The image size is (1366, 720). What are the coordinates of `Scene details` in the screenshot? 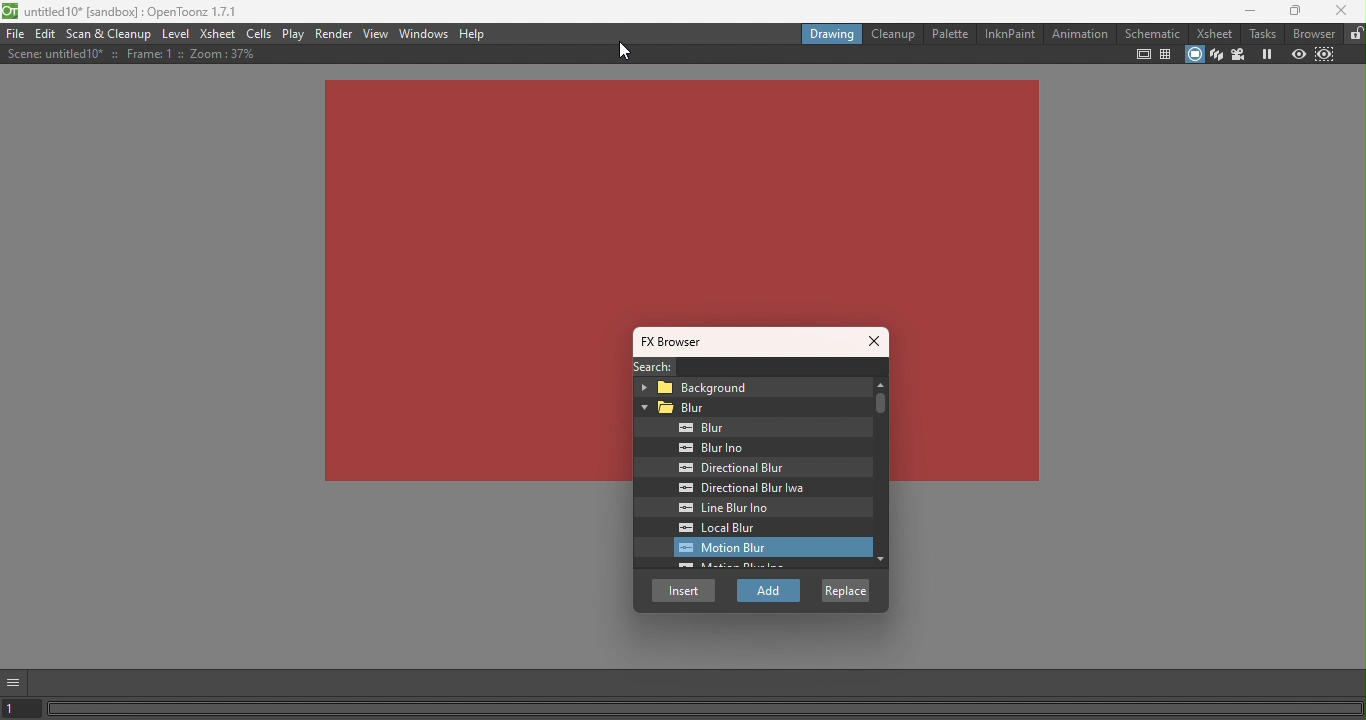 It's located at (131, 54).